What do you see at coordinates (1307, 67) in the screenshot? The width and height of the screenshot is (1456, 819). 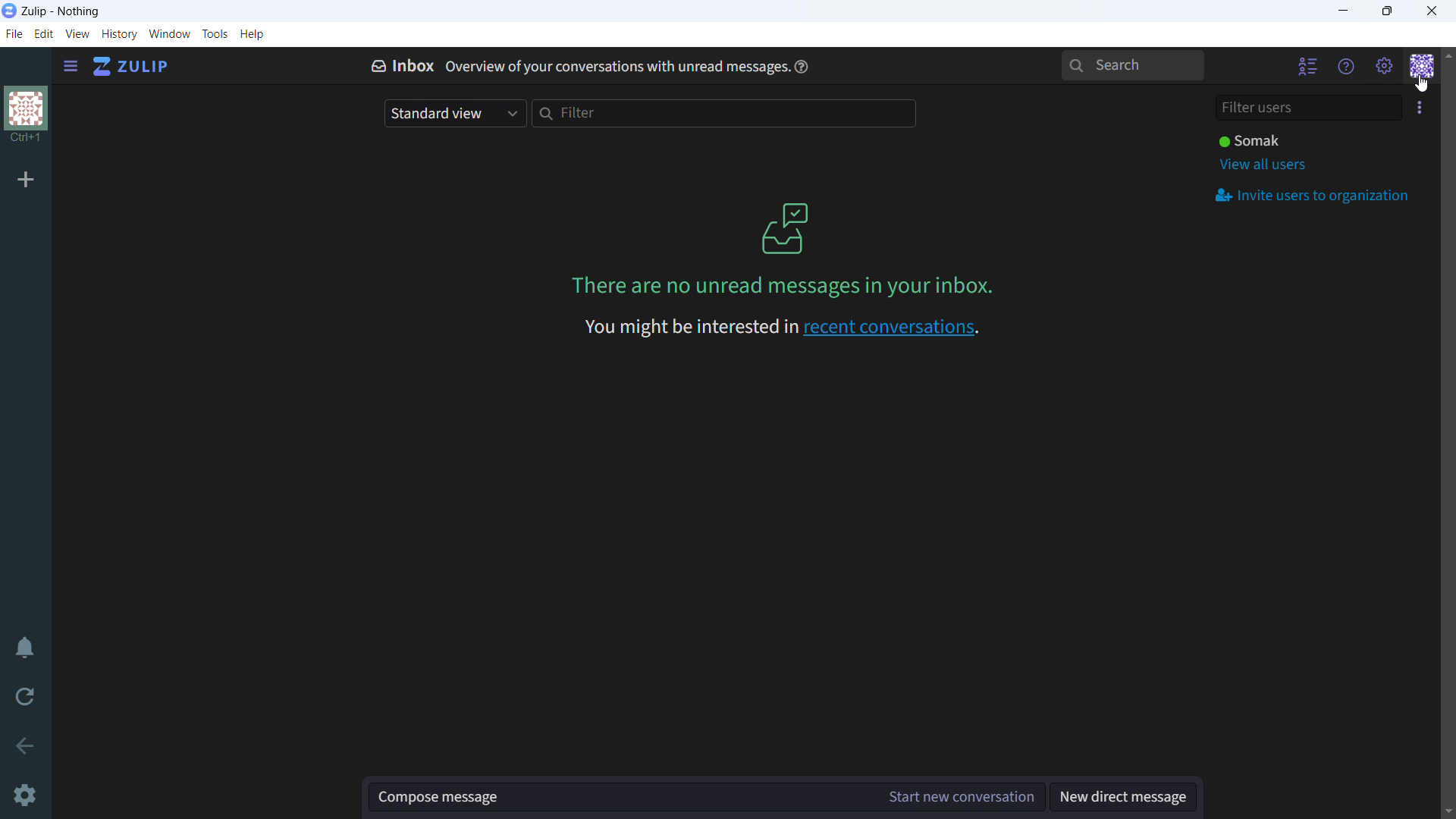 I see `hide all users` at bounding box center [1307, 67].